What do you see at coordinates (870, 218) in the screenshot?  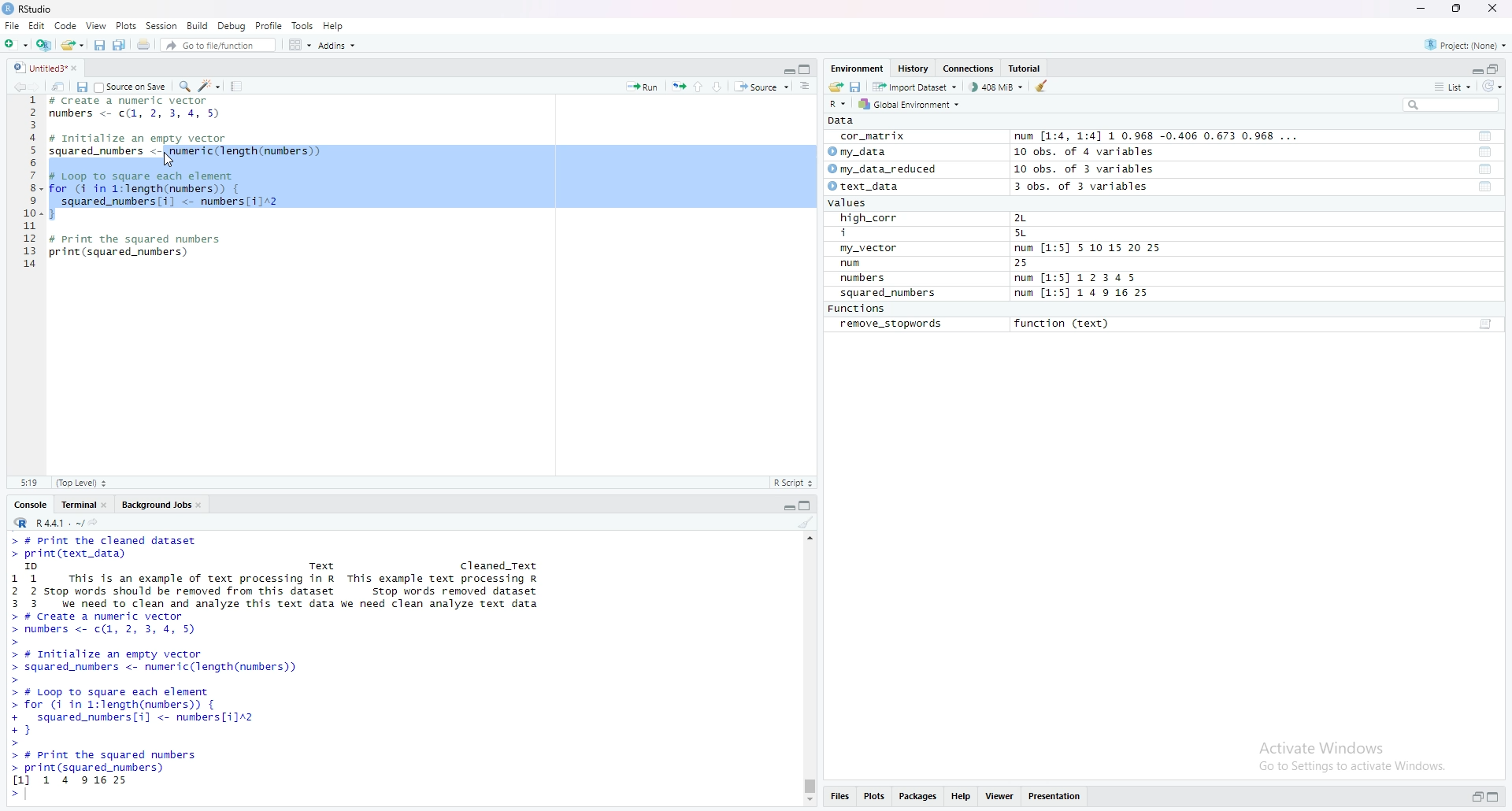 I see `high_corr` at bounding box center [870, 218].